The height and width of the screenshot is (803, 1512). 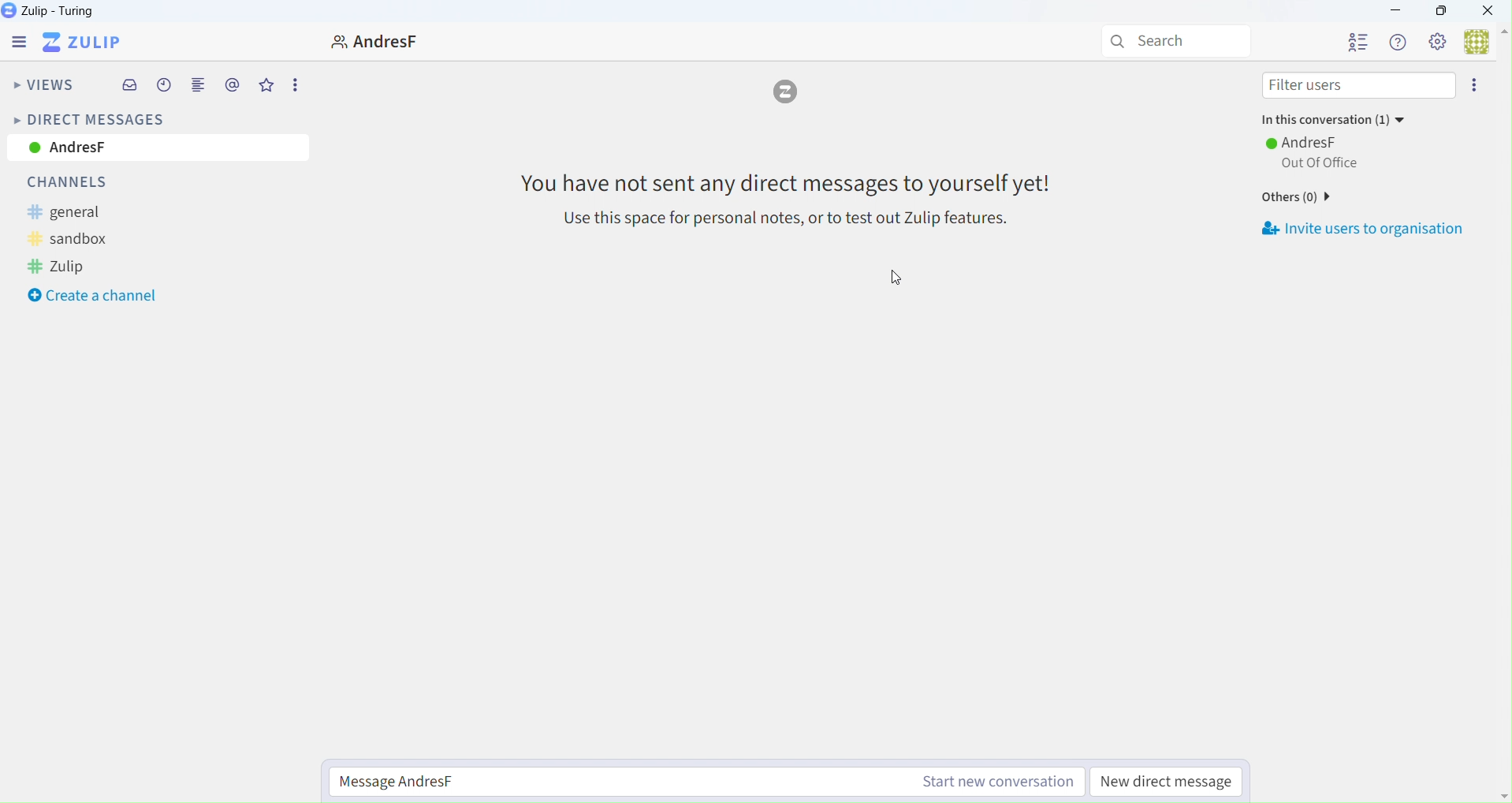 What do you see at coordinates (155, 149) in the screenshot?
I see `AndresF` at bounding box center [155, 149].